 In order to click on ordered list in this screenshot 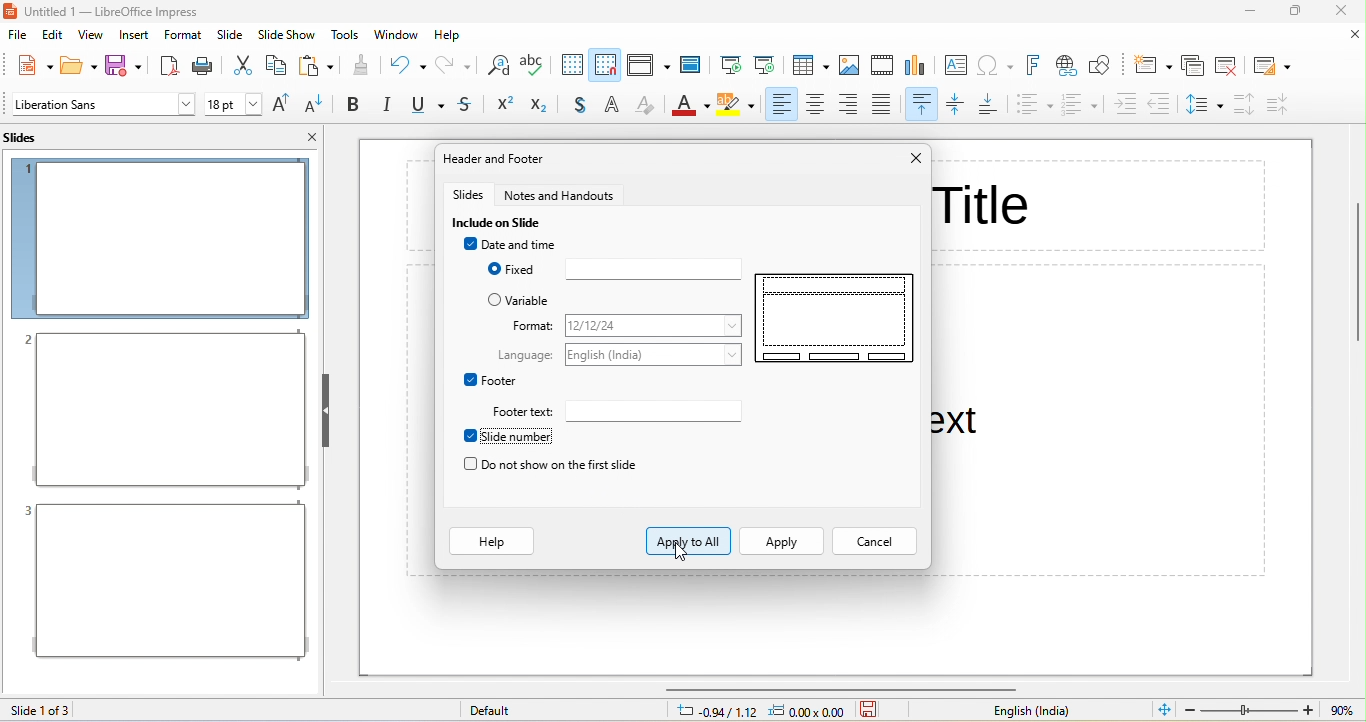, I will do `click(1080, 106)`.